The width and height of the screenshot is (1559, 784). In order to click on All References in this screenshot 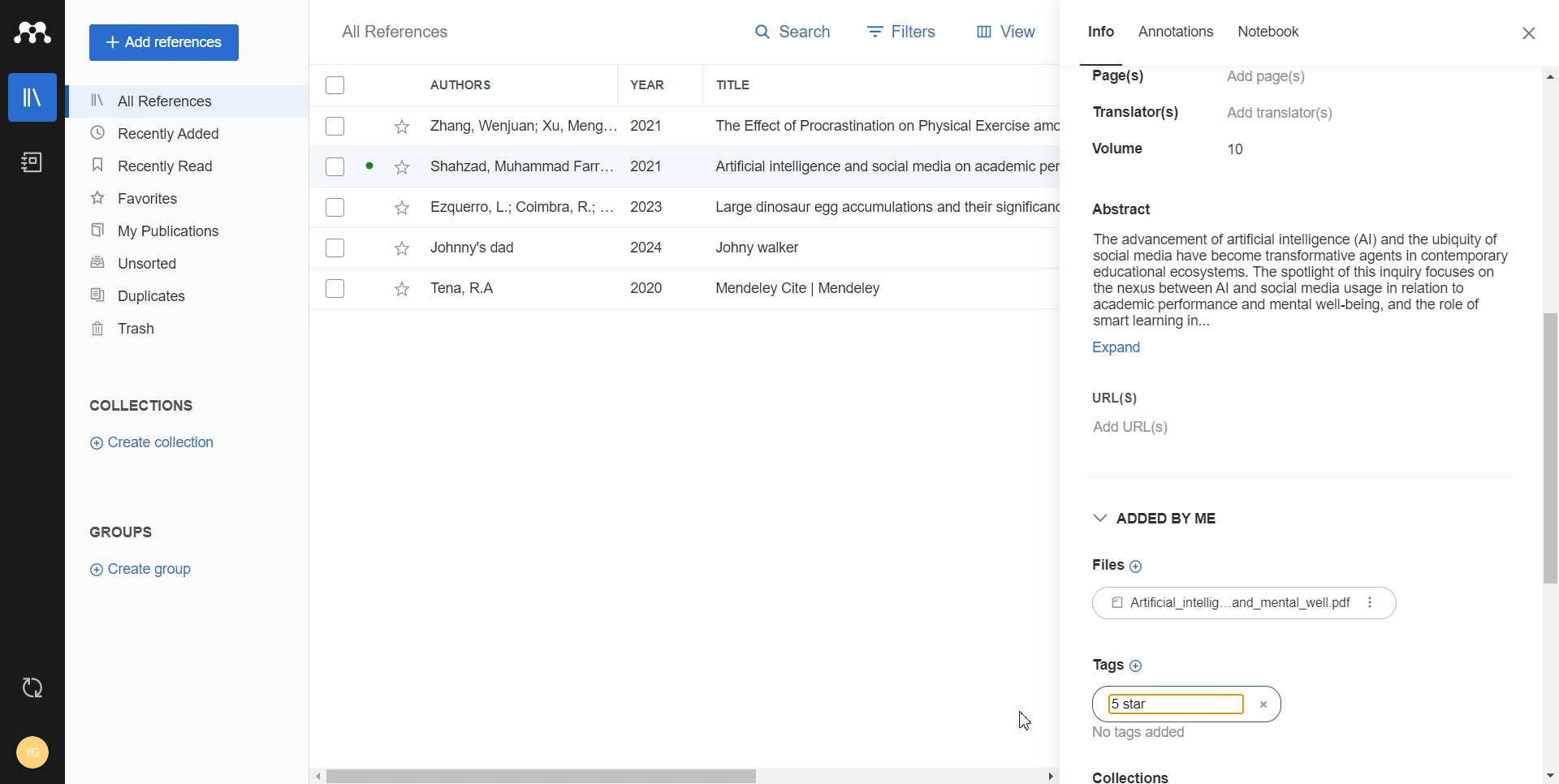, I will do `click(184, 102)`.